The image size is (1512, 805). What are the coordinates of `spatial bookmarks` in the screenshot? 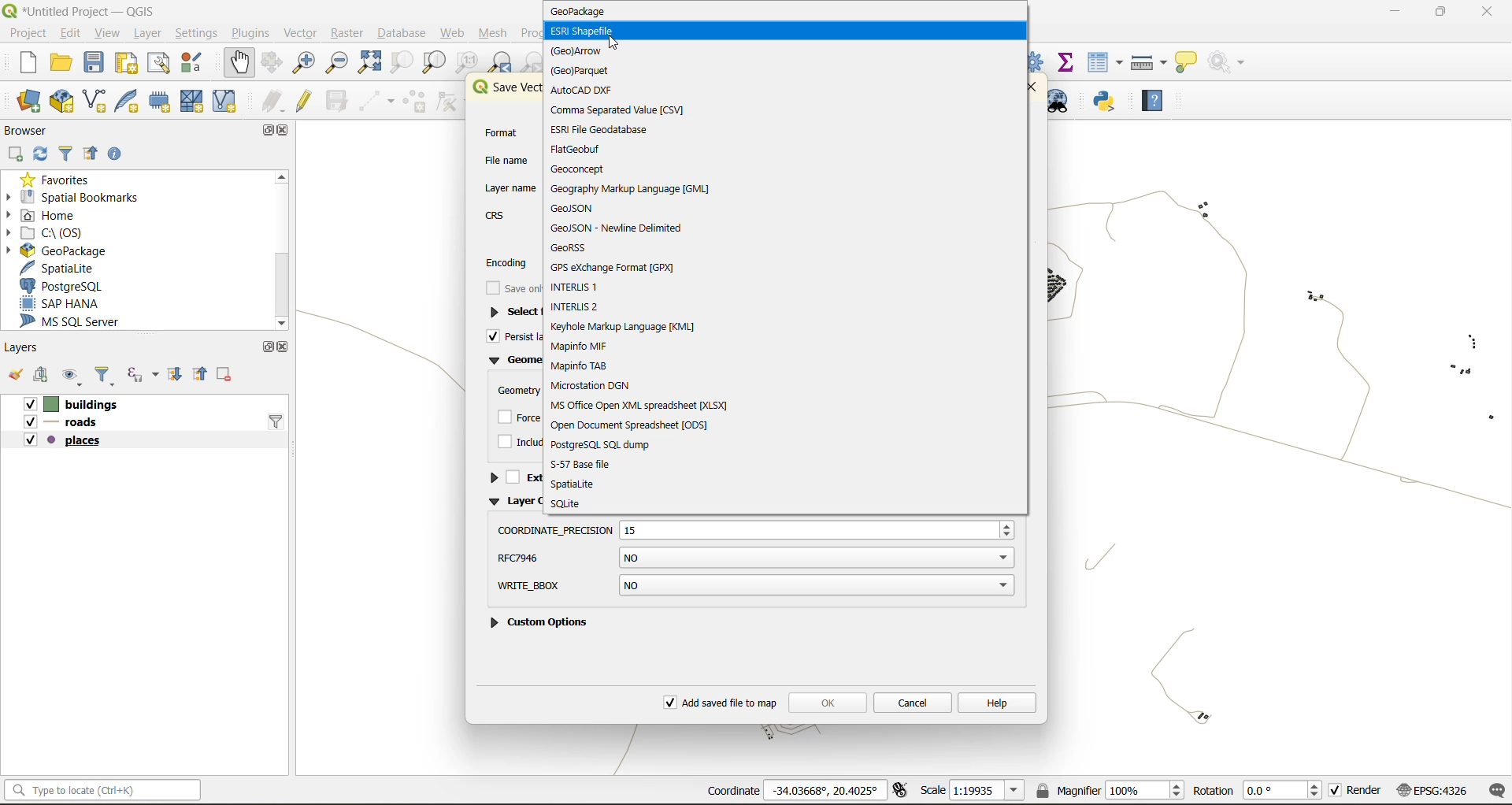 It's located at (74, 198).